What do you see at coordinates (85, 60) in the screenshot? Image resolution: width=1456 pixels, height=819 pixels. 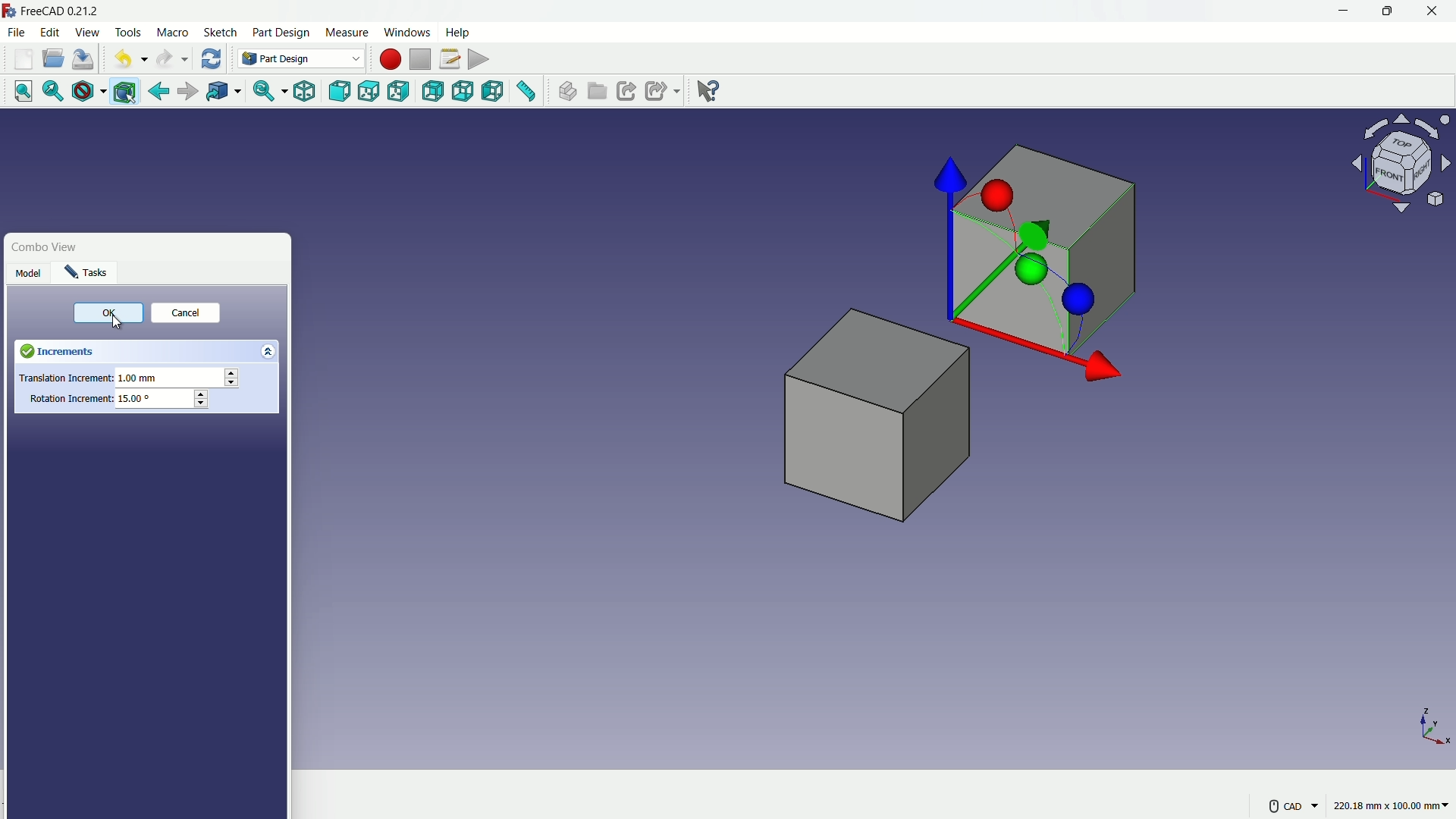 I see `save file` at bounding box center [85, 60].